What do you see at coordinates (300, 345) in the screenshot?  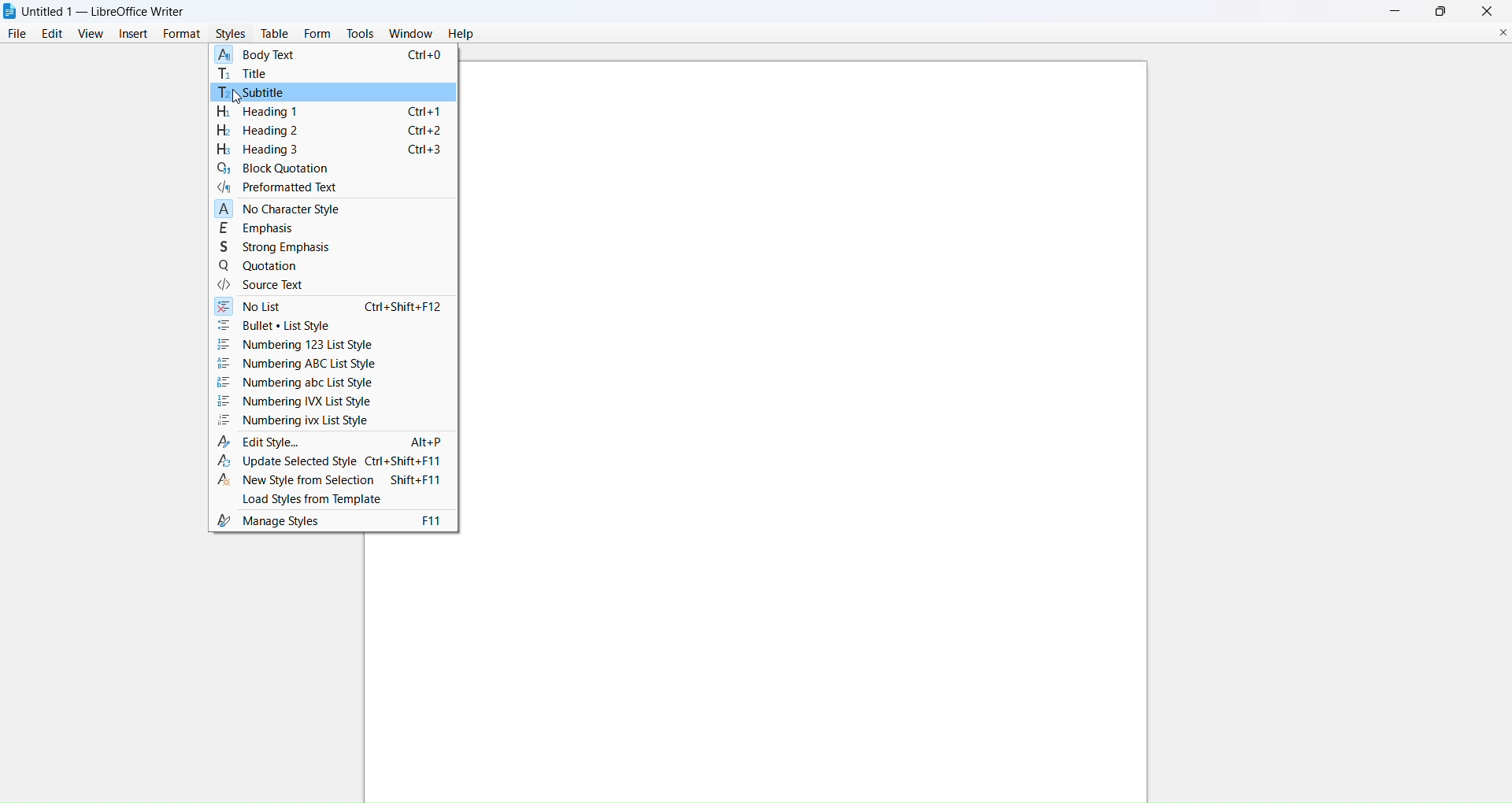 I see `numbering 123 list style` at bounding box center [300, 345].